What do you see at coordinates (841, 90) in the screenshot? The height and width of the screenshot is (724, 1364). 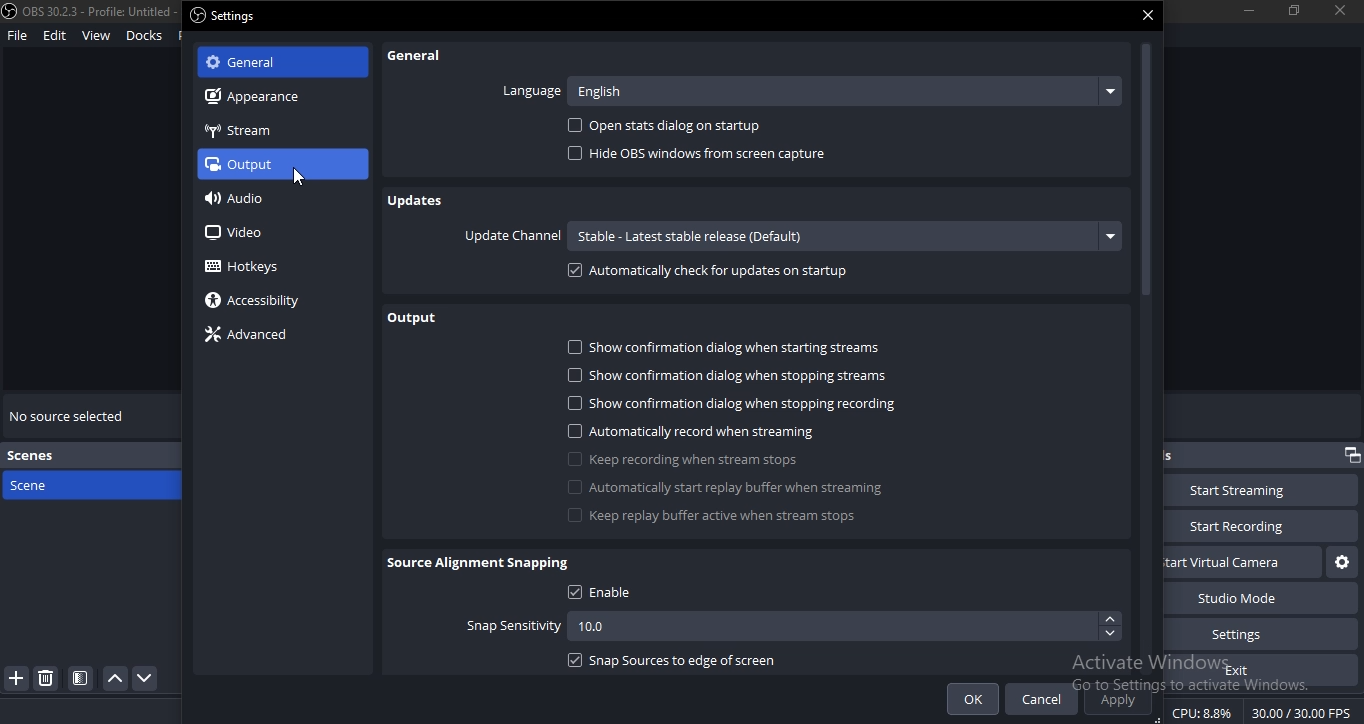 I see `english` at bounding box center [841, 90].